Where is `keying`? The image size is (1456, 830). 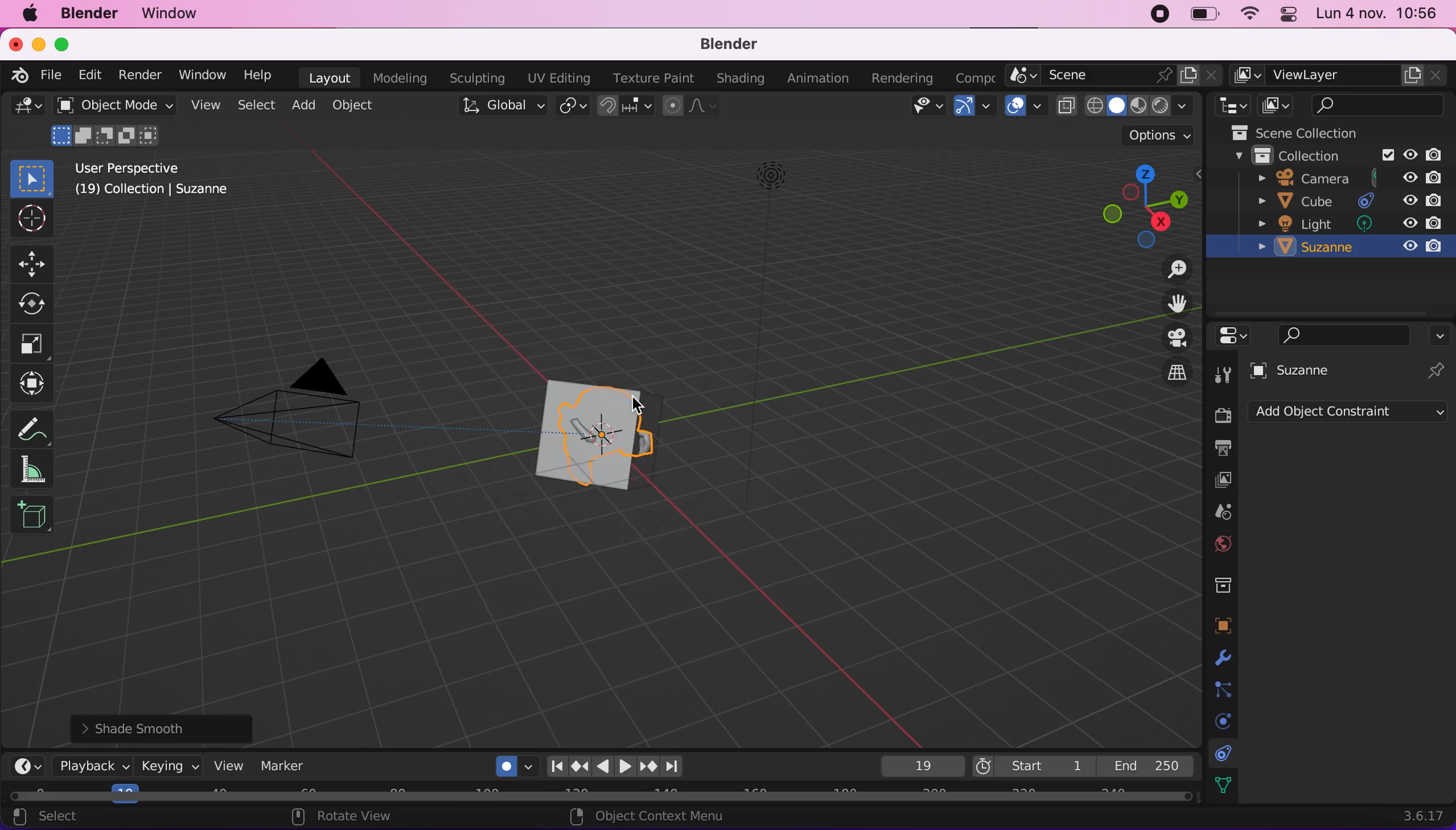 keying is located at coordinates (170, 769).